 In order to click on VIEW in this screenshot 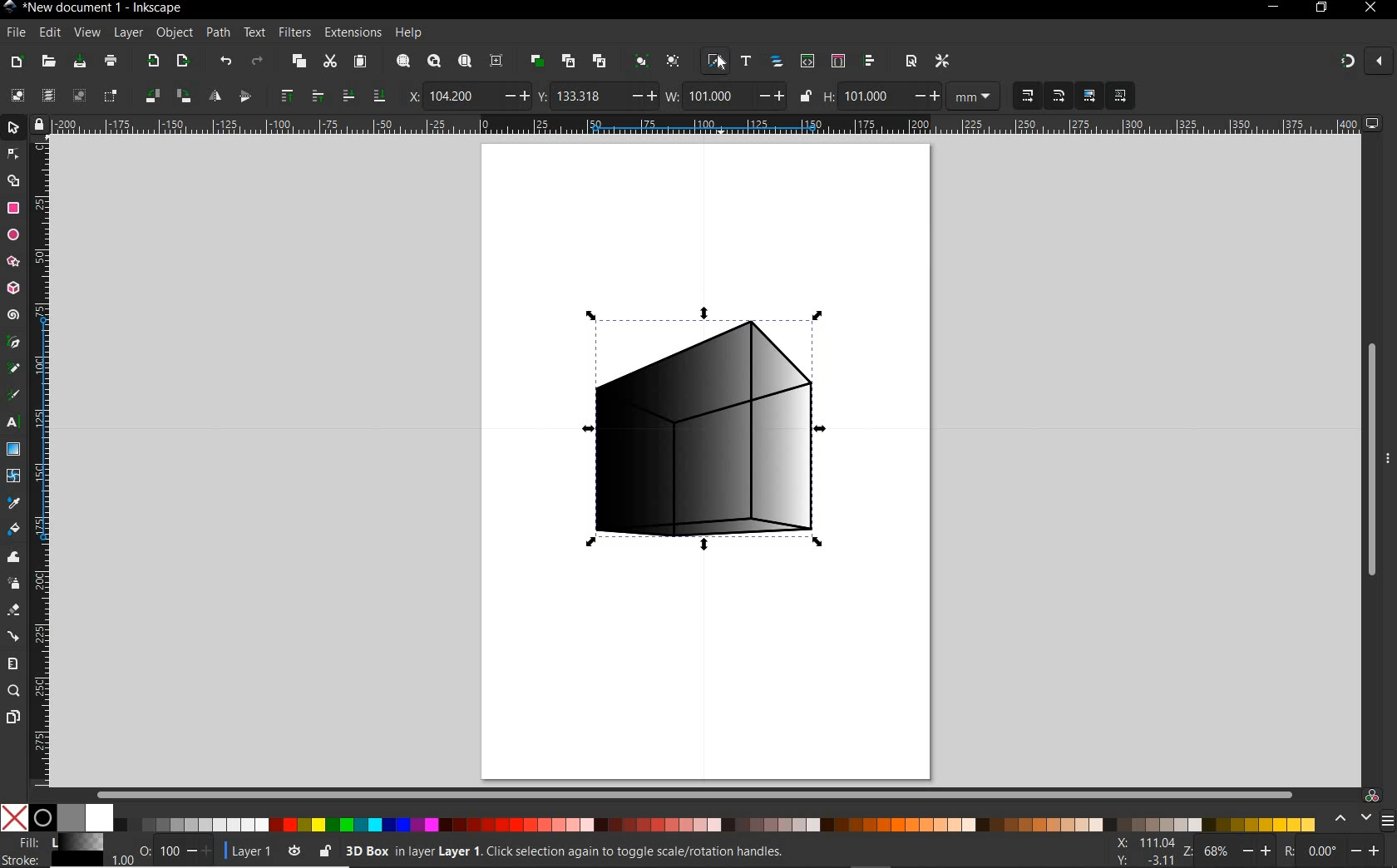, I will do `click(85, 33)`.